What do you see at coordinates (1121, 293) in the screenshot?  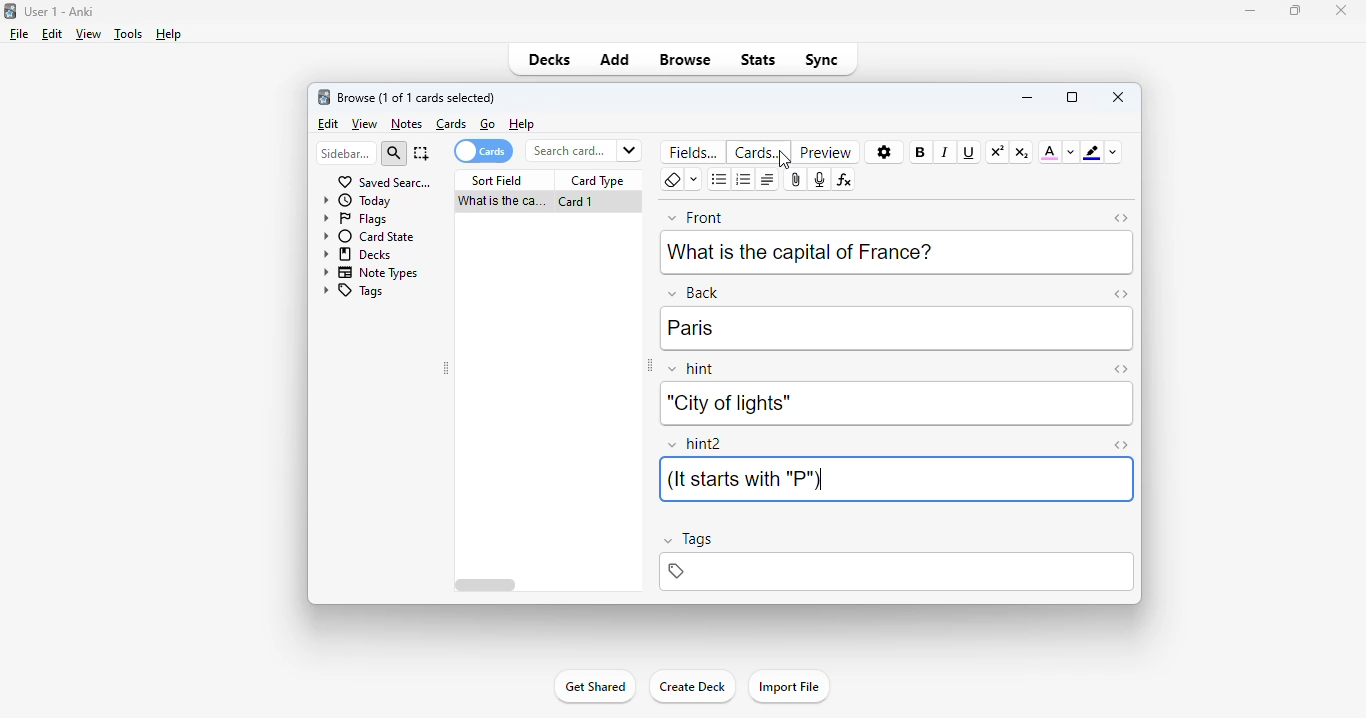 I see `toggle HTML editor` at bounding box center [1121, 293].